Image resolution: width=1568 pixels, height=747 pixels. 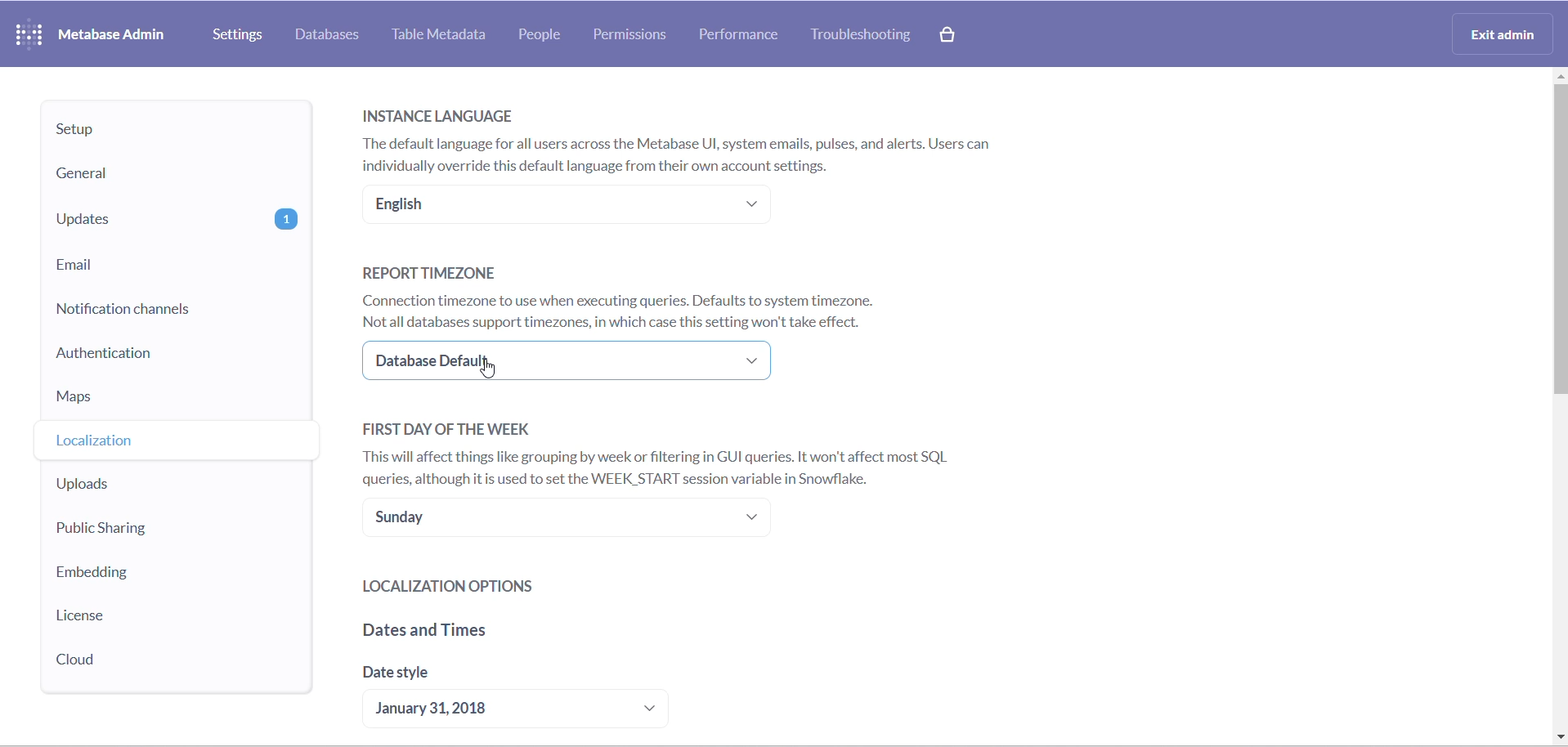 What do you see at coordinates (629, 295) in the screenshot?
I see `REPORT TIMEZONE
Connection timezone to use when executing queries. Defaults to system timezone.
Not all databases support timezones, in which case this setting won't take effect.` at bounding box center [629, 295].